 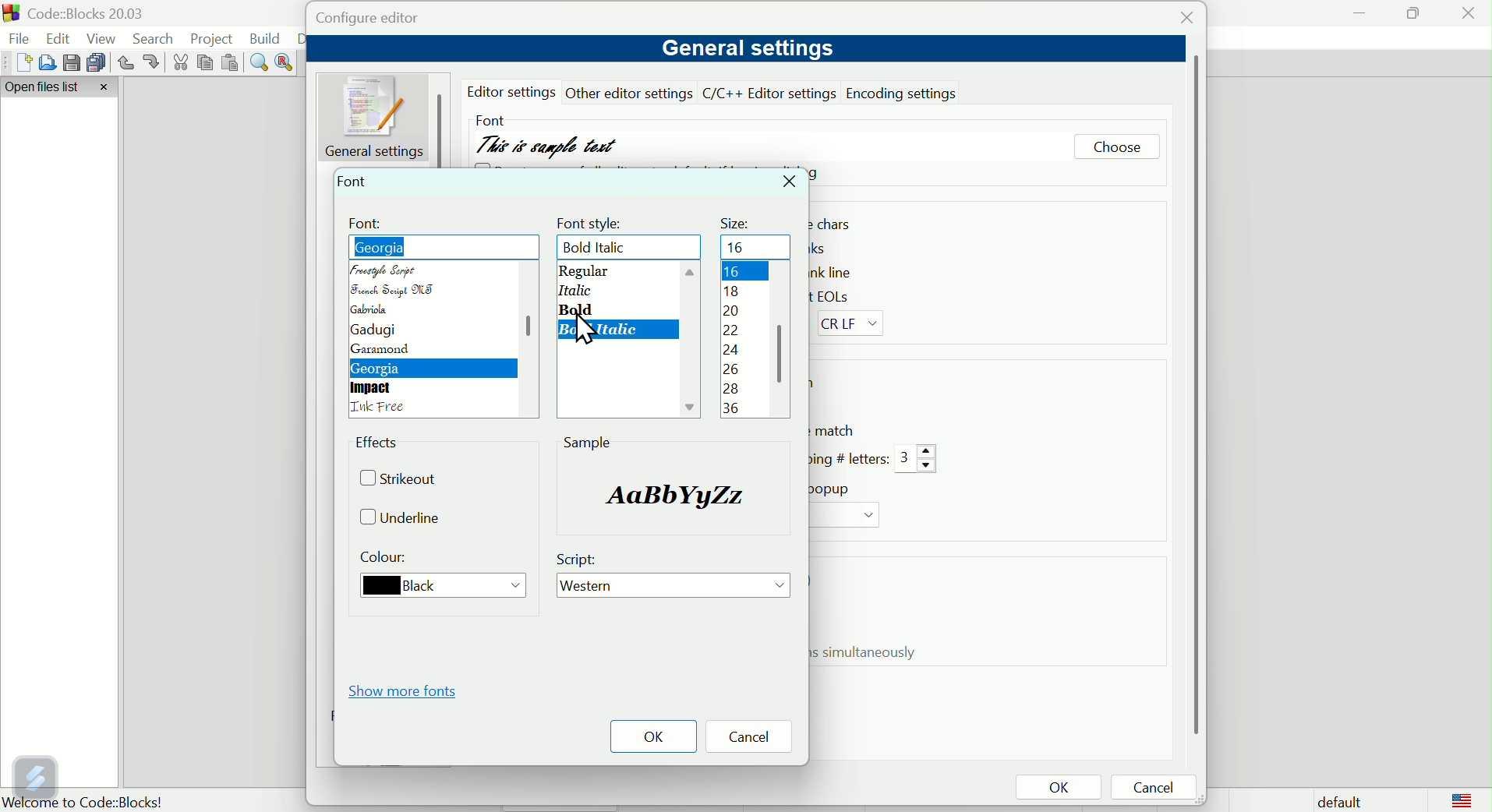 I want to click on Freestyle script, so click(x=389, y=269).